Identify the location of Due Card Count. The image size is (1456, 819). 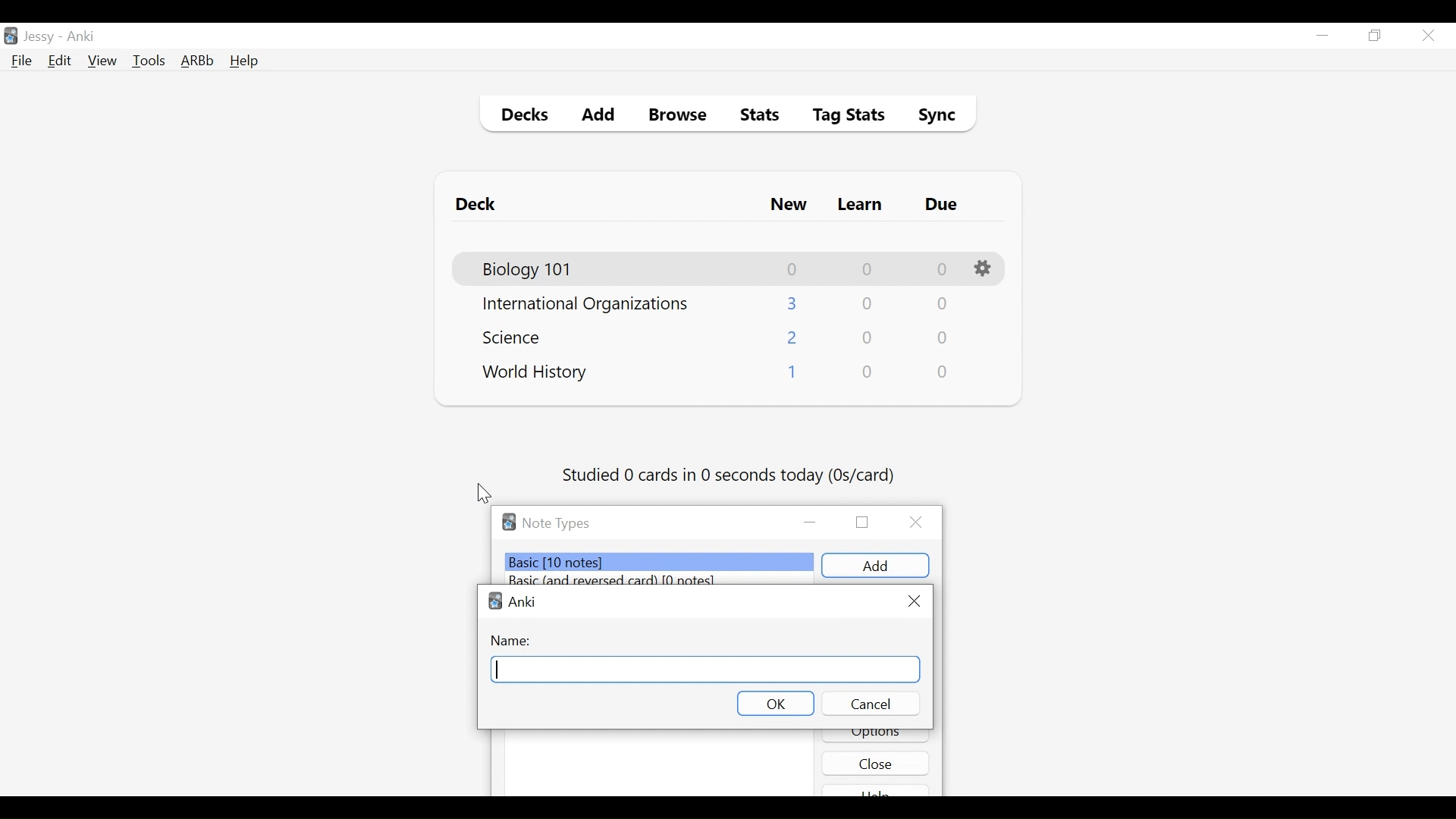
(943, 339).